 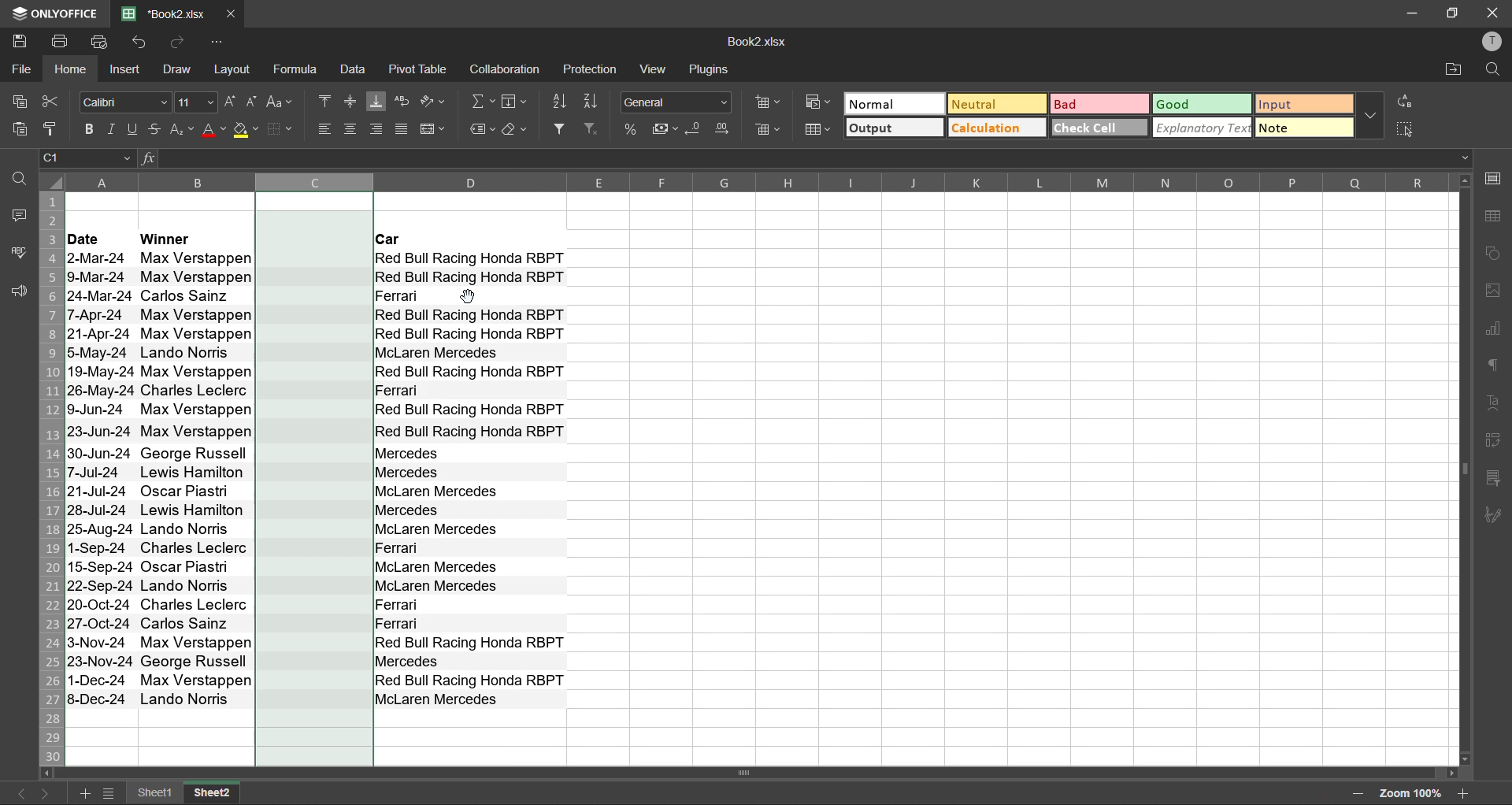 What do you see at coordinates (421, 69) in the screenshot?
I see `pivot table` at bounding box center [421, 69].